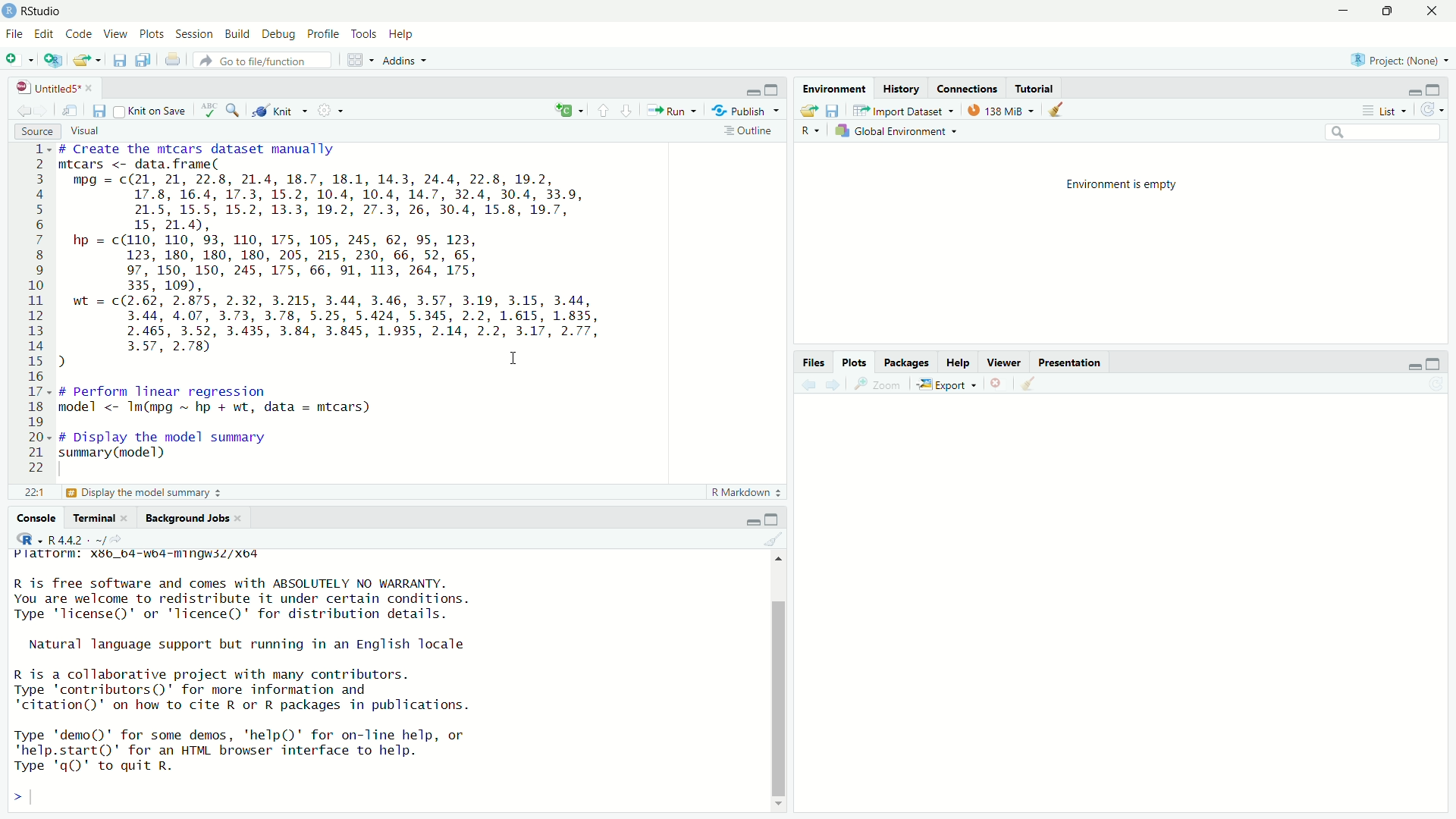  I want to click on Publish, so click(739, 110).